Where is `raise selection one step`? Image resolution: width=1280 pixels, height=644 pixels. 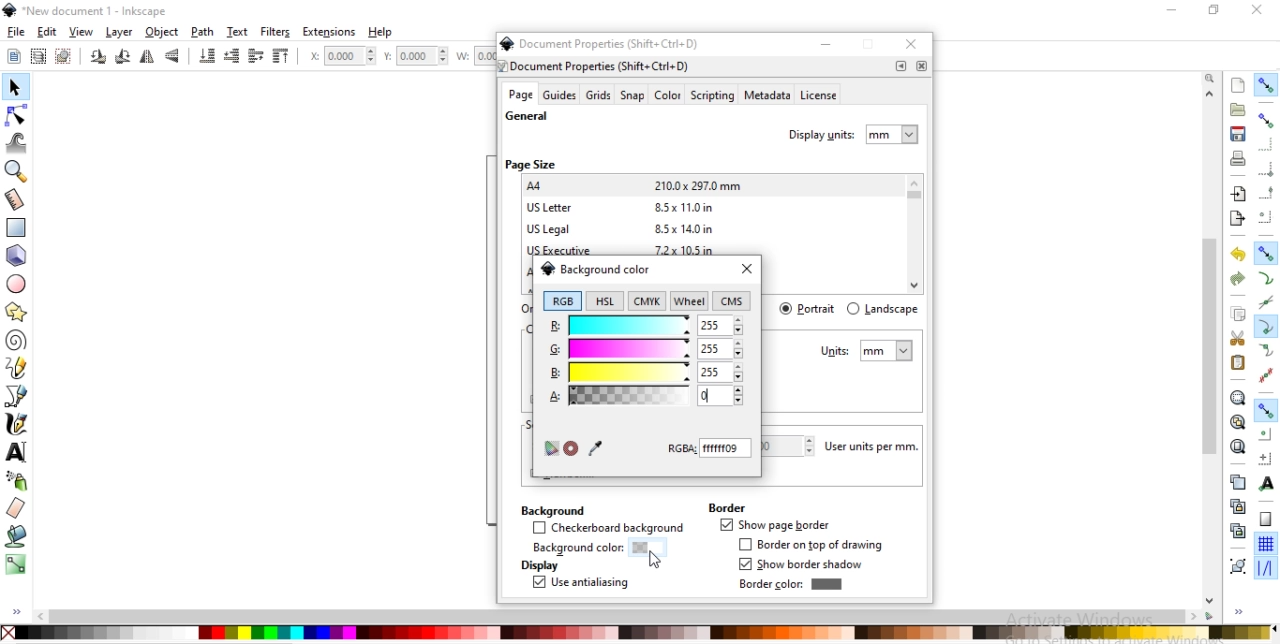 raise selection one step is located at coordinates (254, 57).